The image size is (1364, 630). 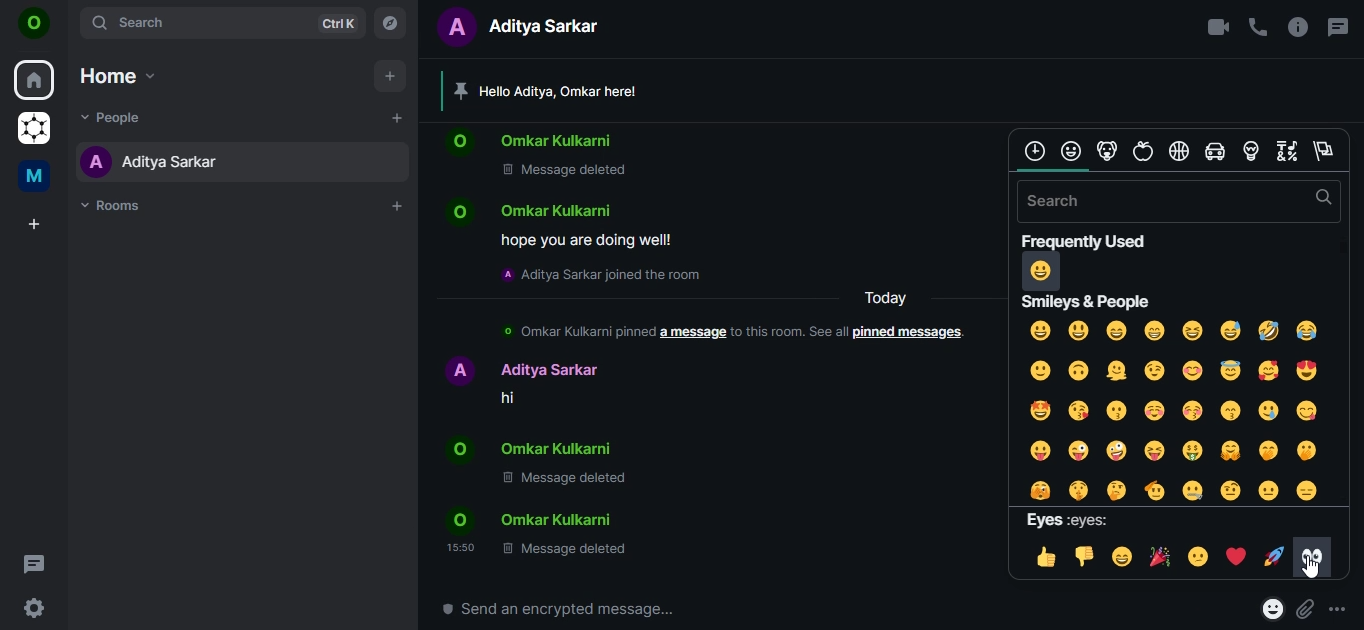 What do you see at coordinates (1078, 410) in the screenshot?
I see `face blowing a kiss` at bounding box center [1078, 410].